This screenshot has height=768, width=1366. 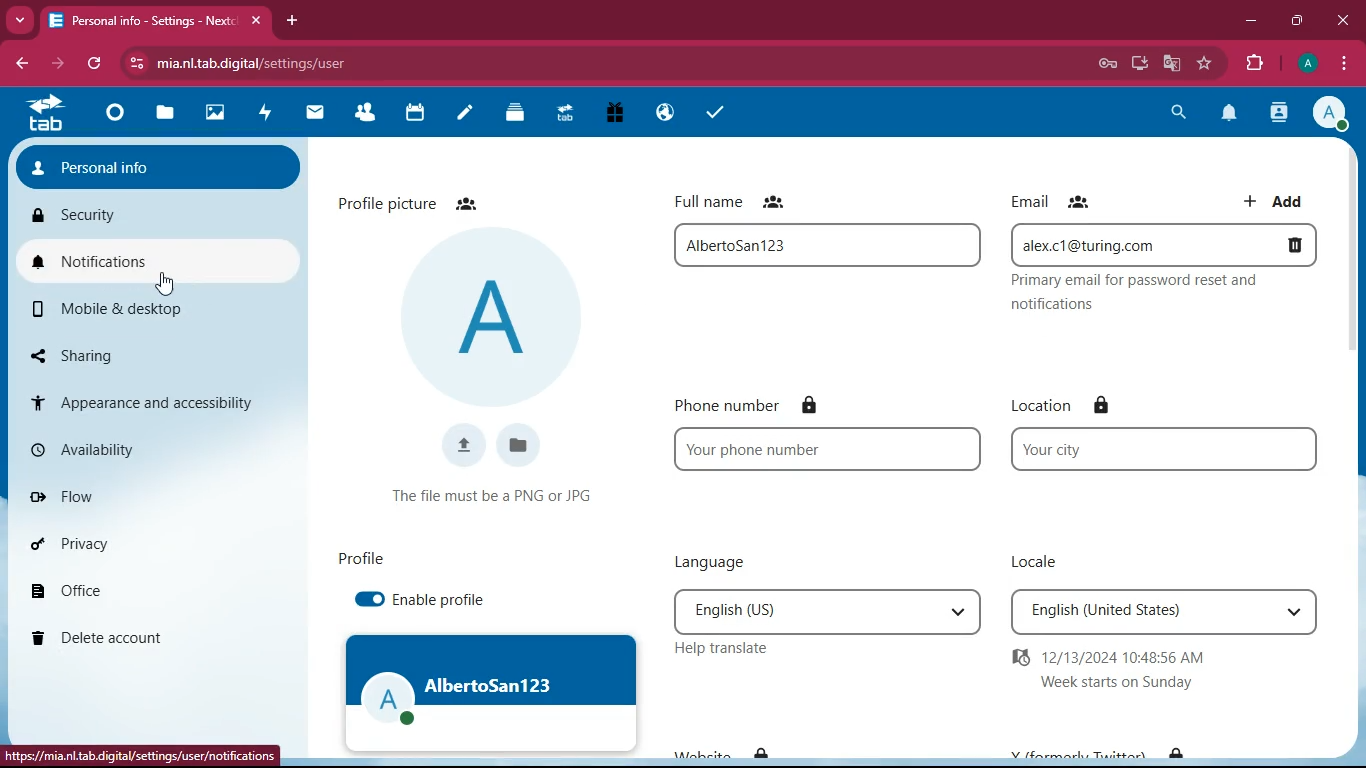 I want to click on vertical scrollbar, so click(x=1351, y=251).